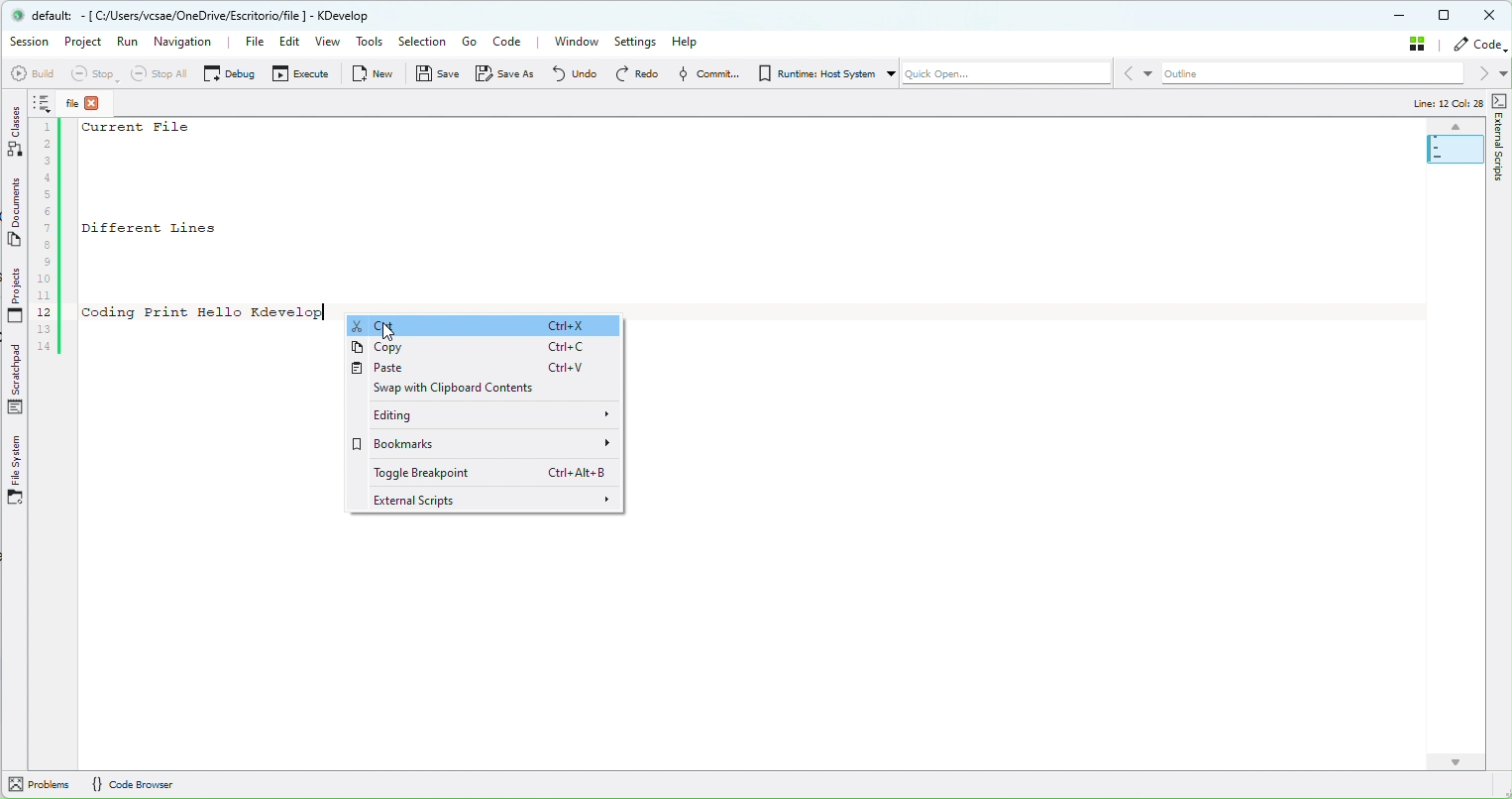  I want to click on Stop, so click(92, 73).